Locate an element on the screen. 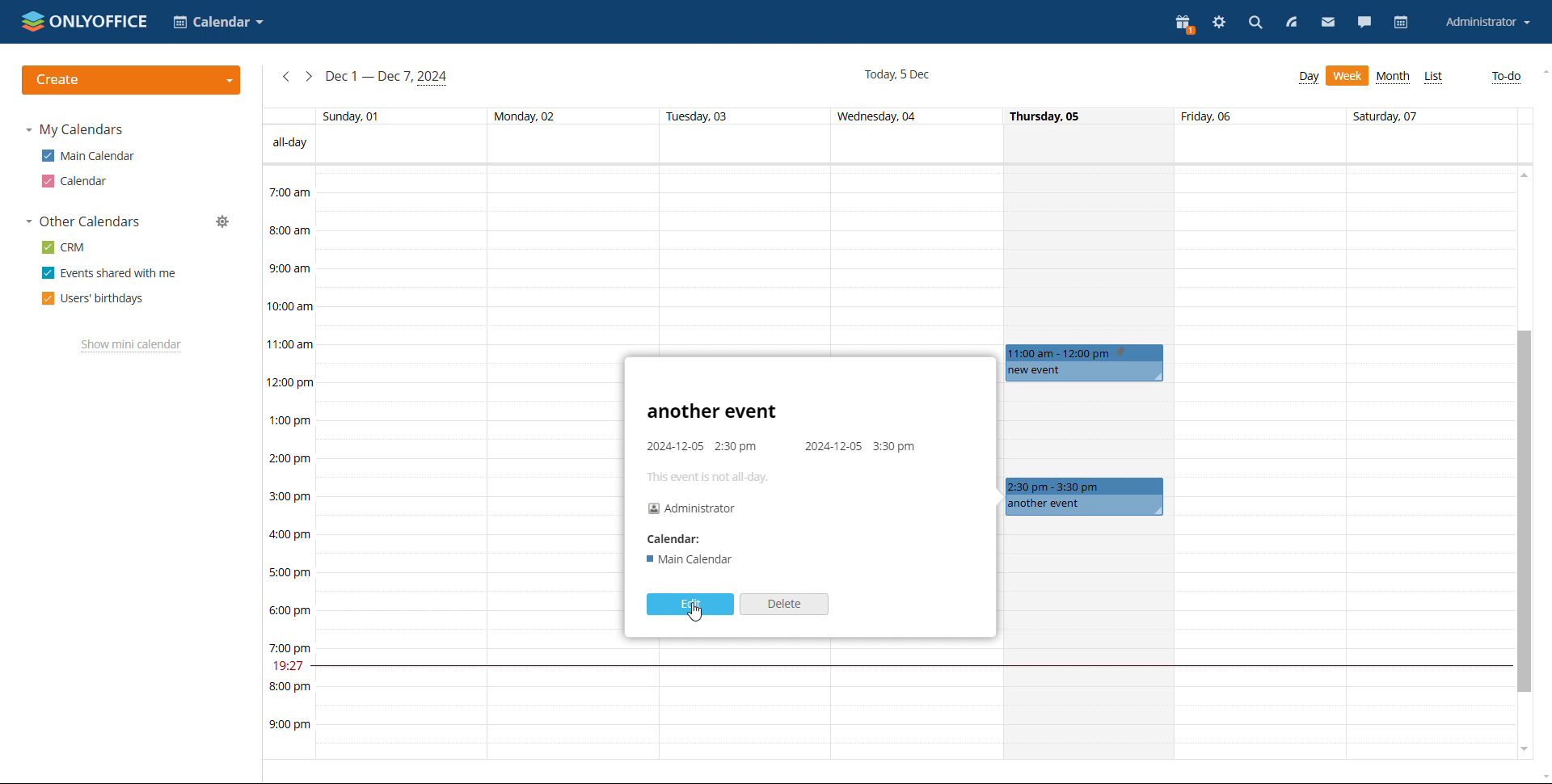  feed is located at coordinates (1290, 23).